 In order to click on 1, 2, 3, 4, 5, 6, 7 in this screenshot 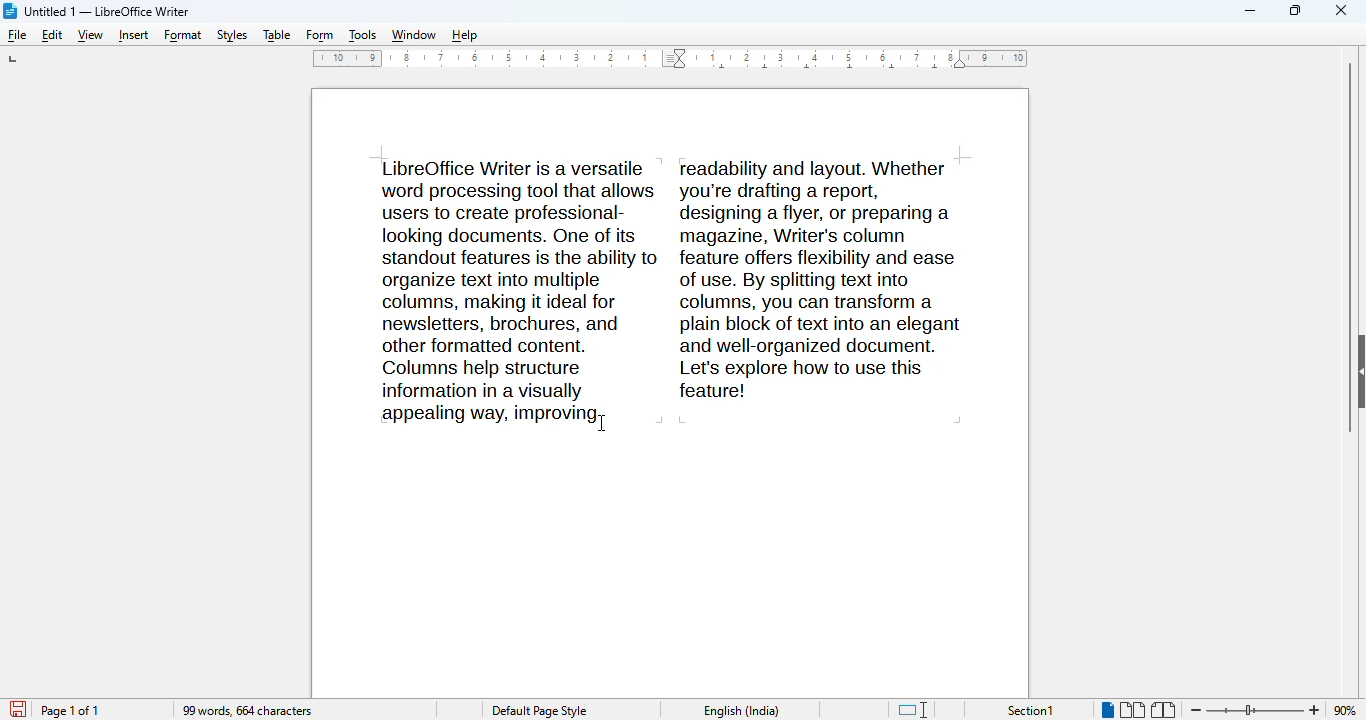, I will do `click(817, 54)`.